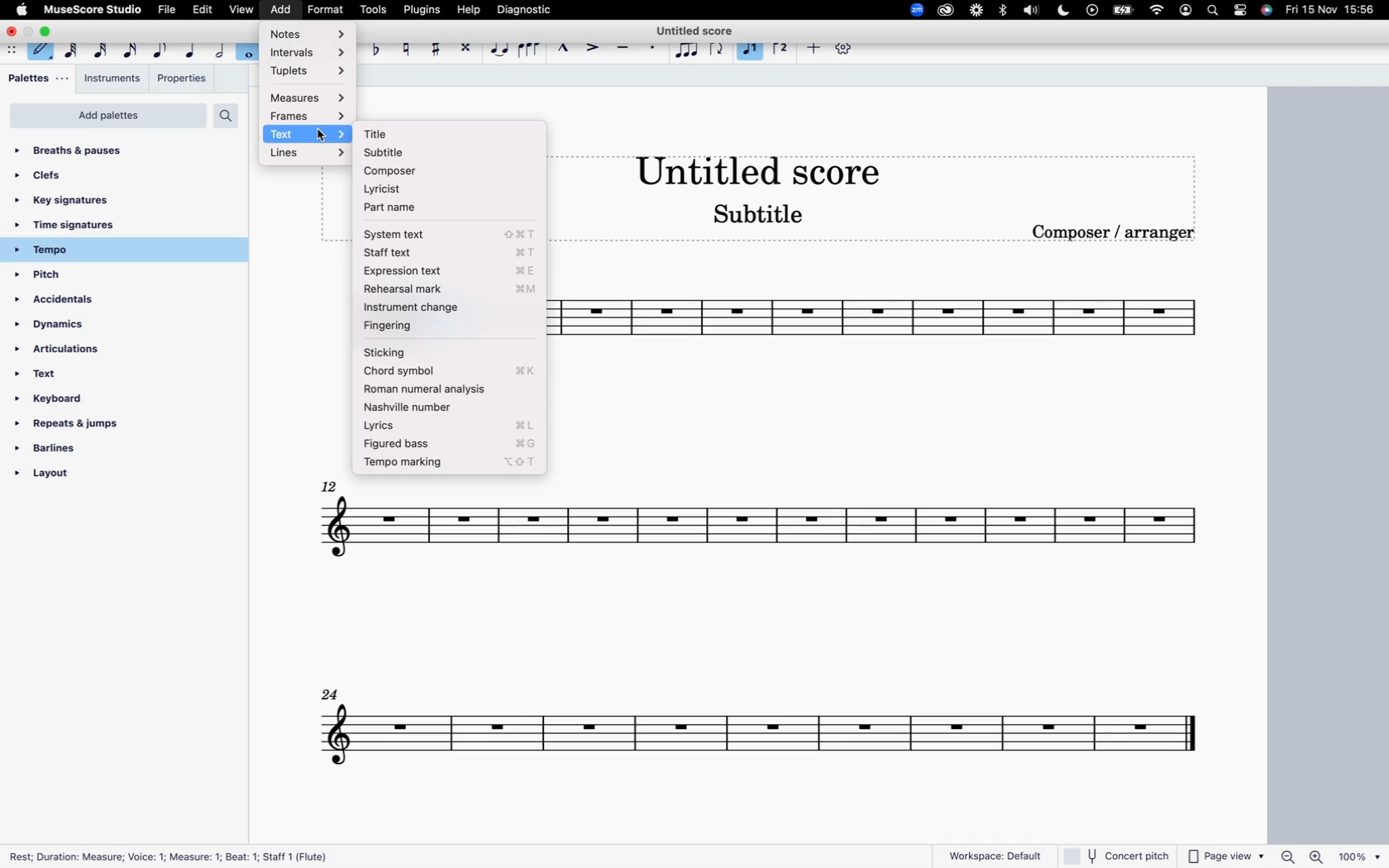 Image resolution: width=1389 pixels, height=868 pixels. Describe the element at coordinates (93, 451) in the screenshot. I see `barlines` at that location.